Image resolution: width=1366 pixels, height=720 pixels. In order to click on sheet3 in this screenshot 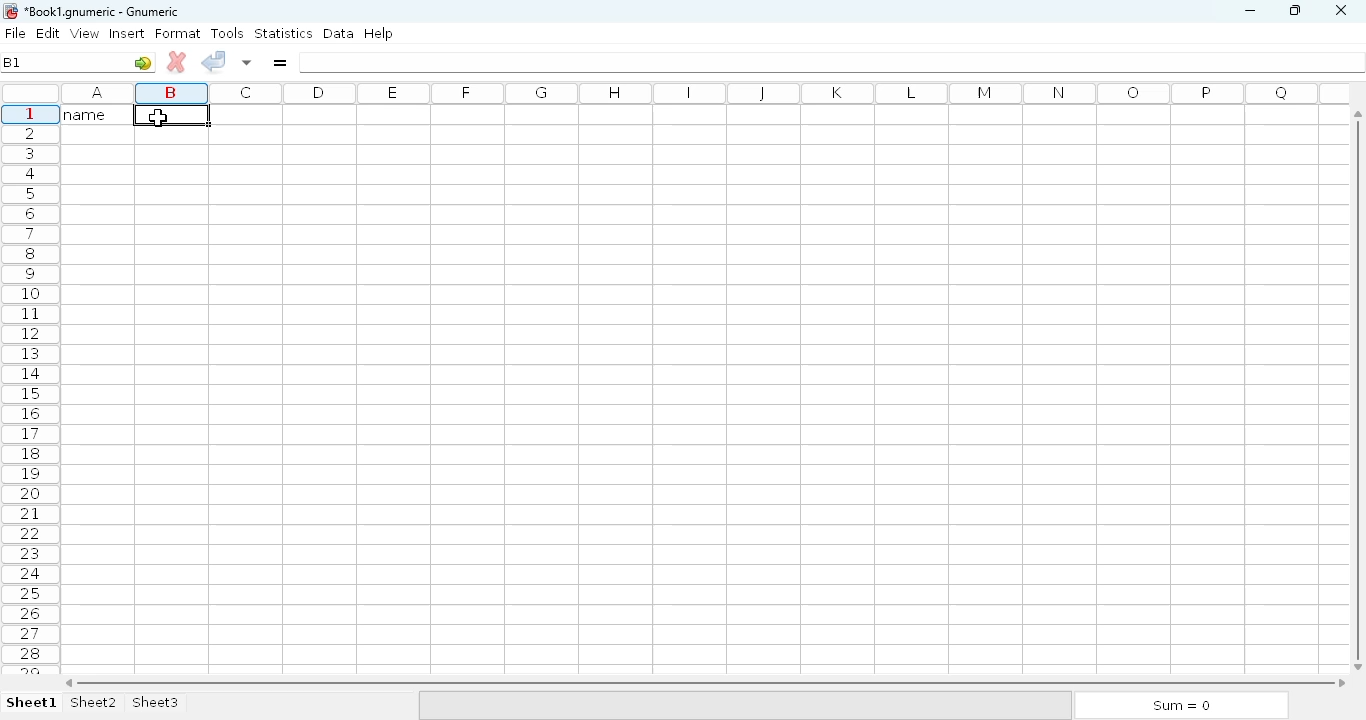, I will do `click(155, 703)`.